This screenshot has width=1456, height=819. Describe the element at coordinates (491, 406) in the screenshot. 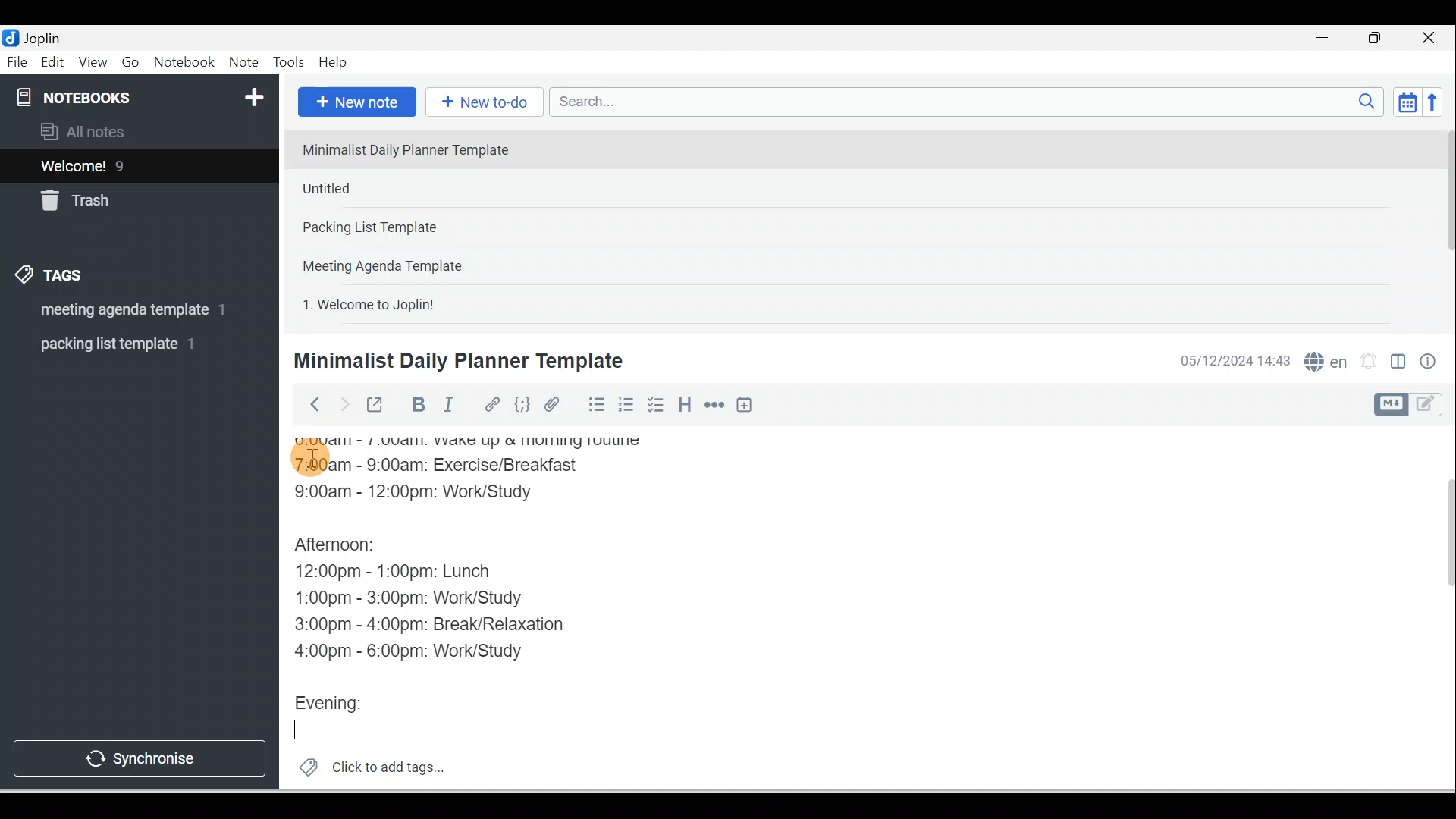

I see `Hyperlink` at that location.